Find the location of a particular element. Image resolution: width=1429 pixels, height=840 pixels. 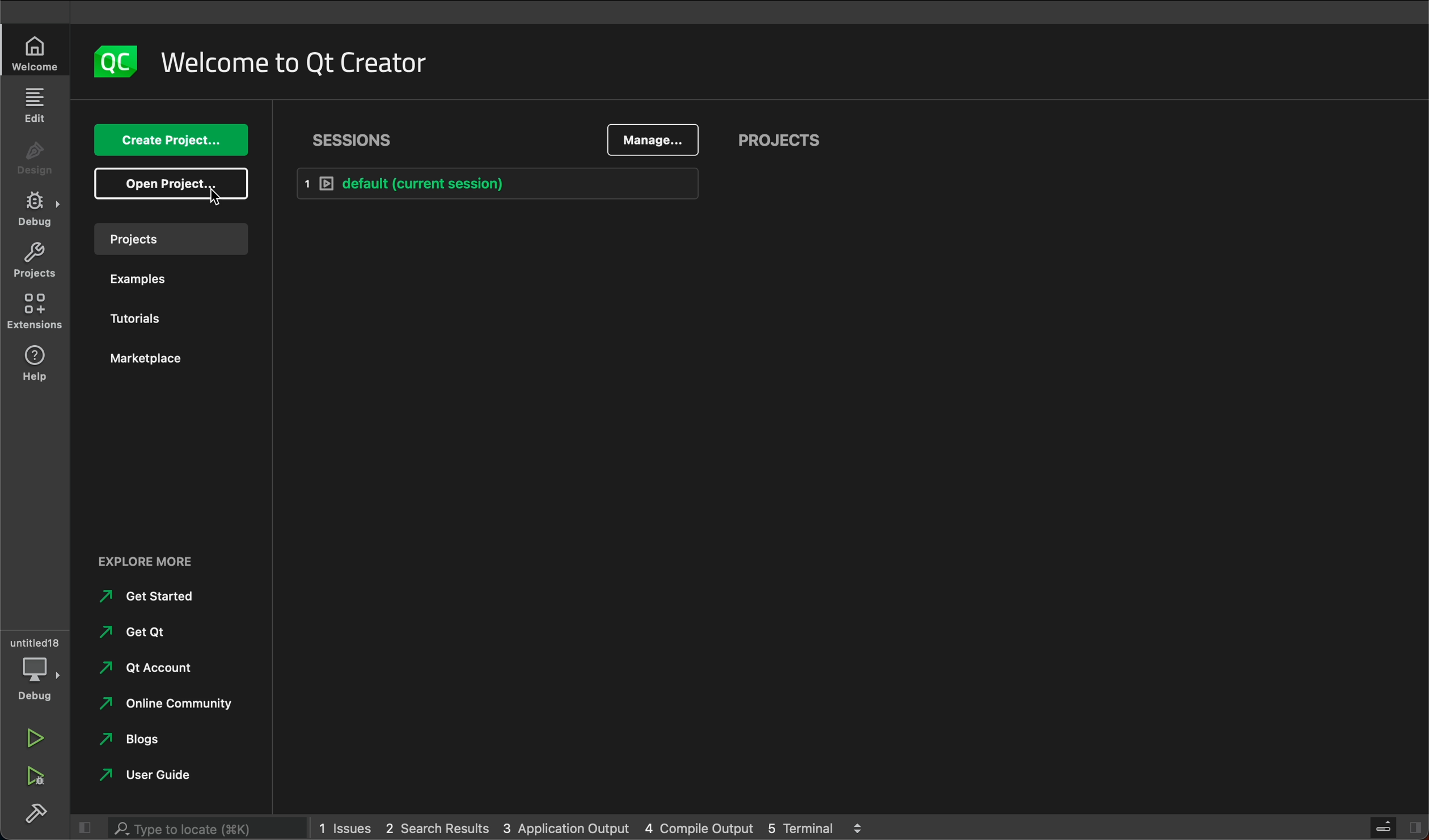

logo is located at coordinates (119, 60).